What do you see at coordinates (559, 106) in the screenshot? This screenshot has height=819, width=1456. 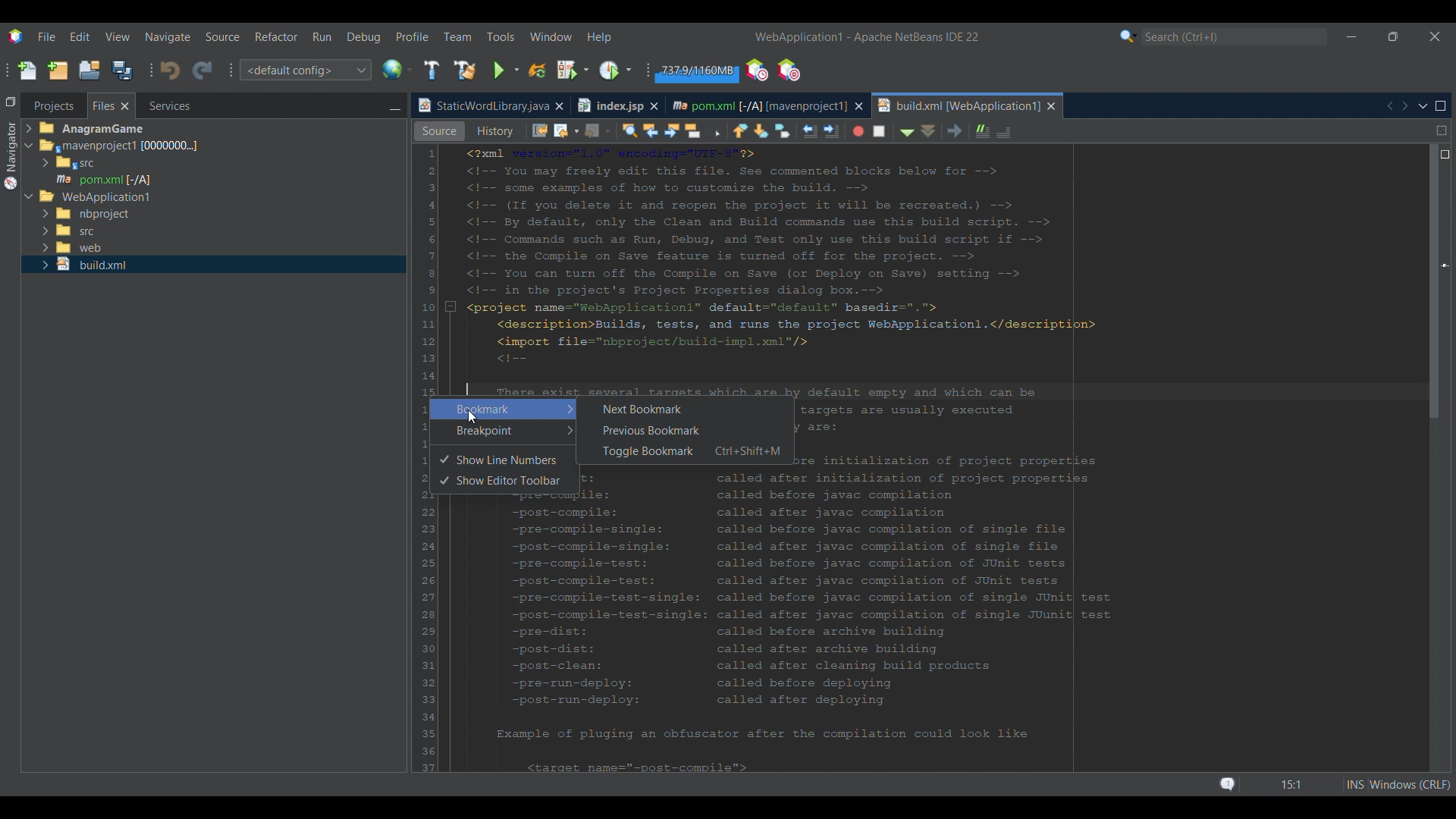 I see `Close tab` at bounding box center [559, 106].